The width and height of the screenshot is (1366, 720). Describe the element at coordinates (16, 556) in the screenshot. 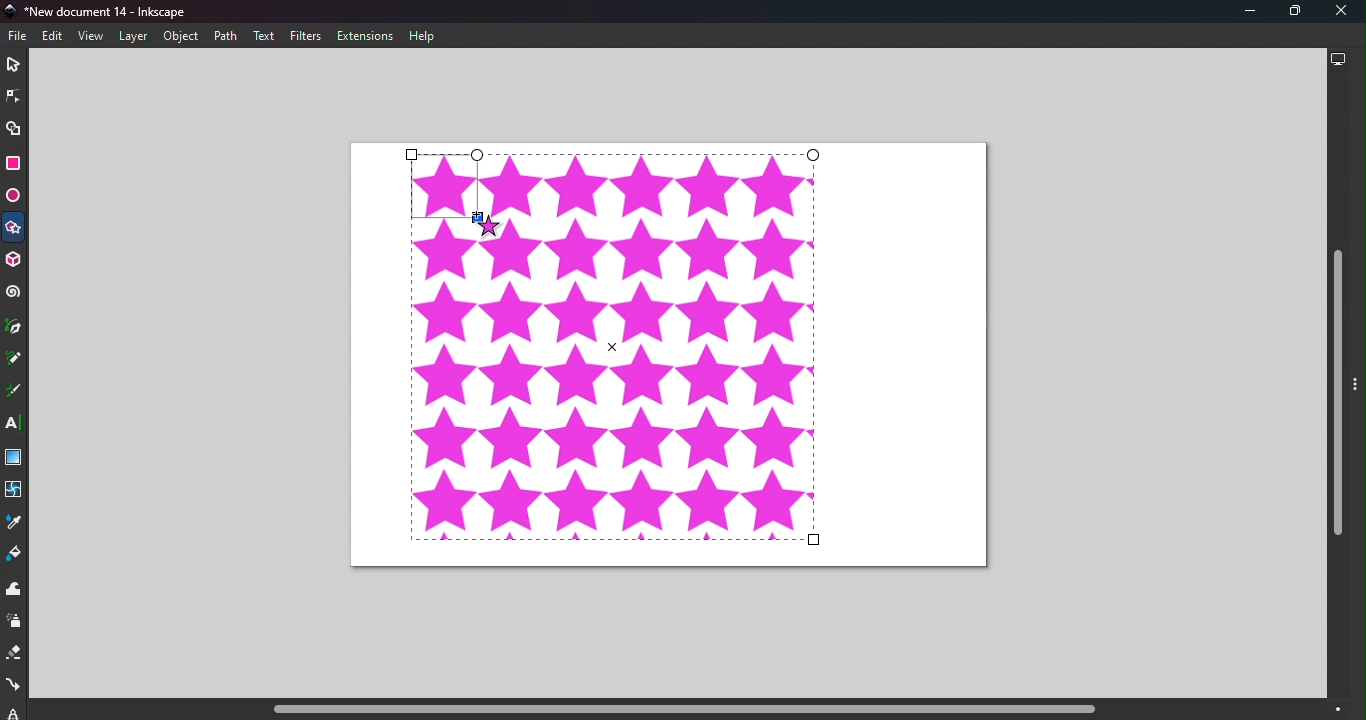

I see `Paint bucket tool` at that location.